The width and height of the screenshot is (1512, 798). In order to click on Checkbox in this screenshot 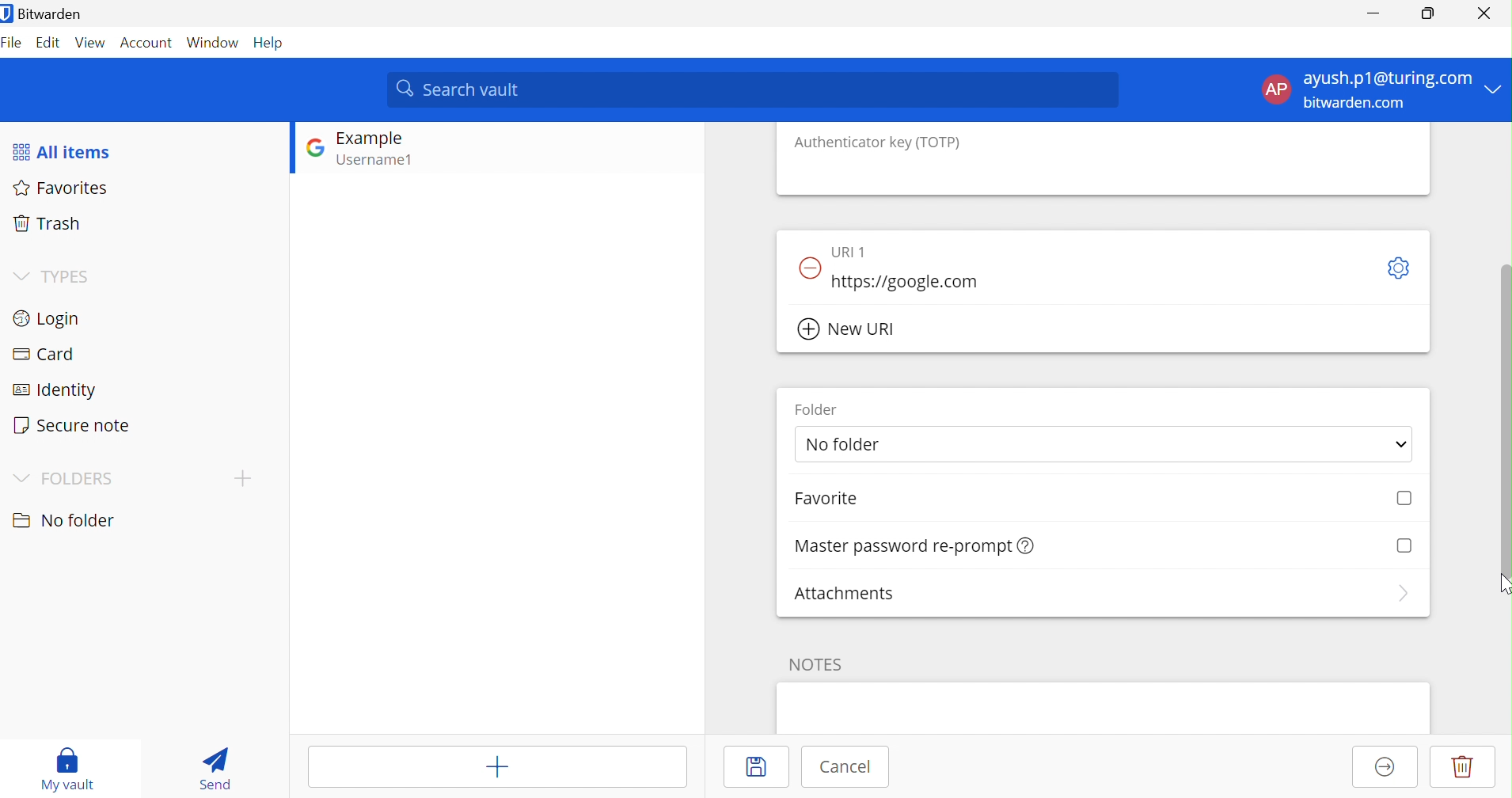, I will do `click(1405, 543)`.